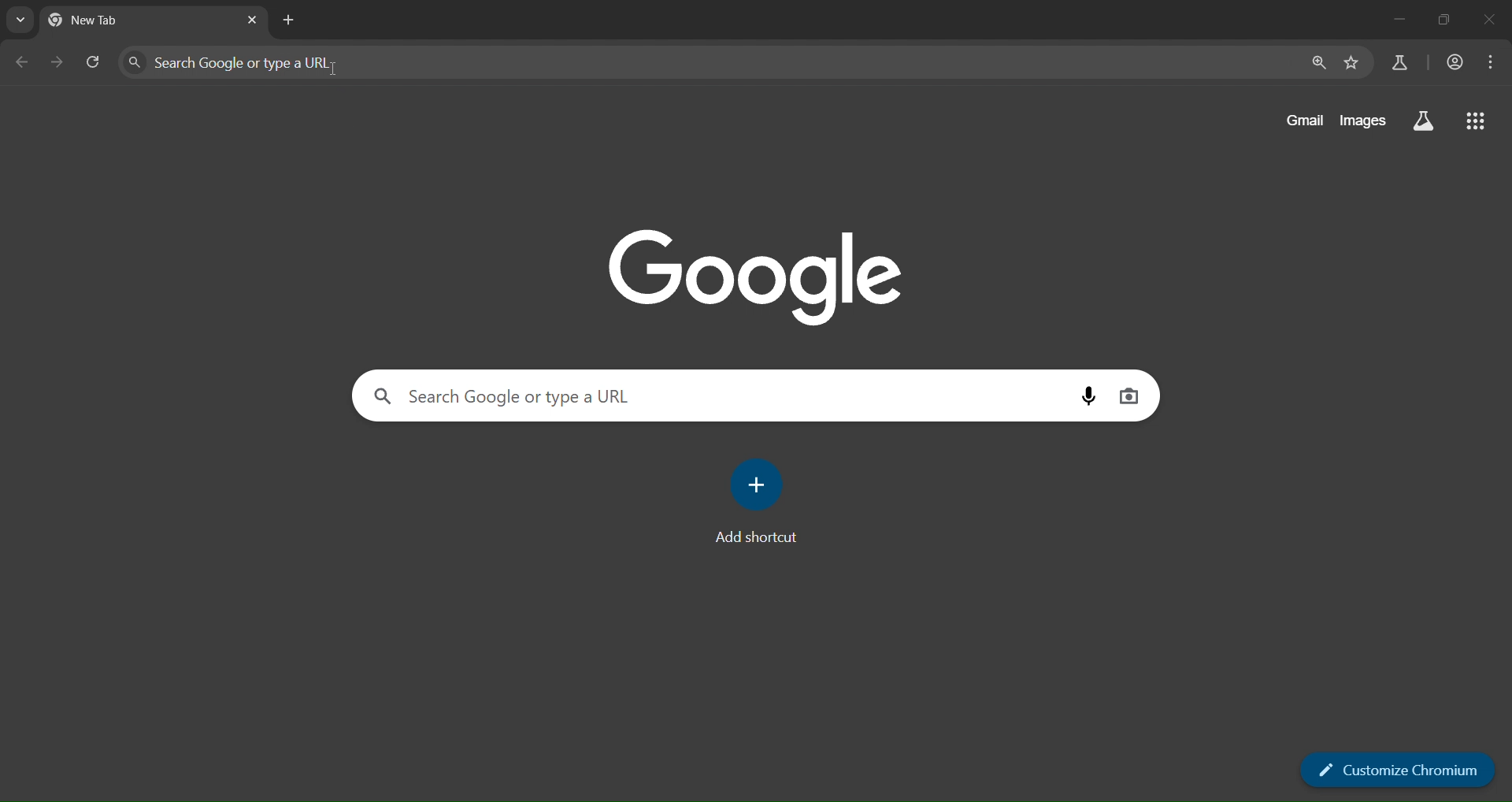 This screenshot has width=1512, height=802. What do you see at coordinates (1449, 18) in the screenshot?
I see `restore down` at bounding box center [1449, 18].